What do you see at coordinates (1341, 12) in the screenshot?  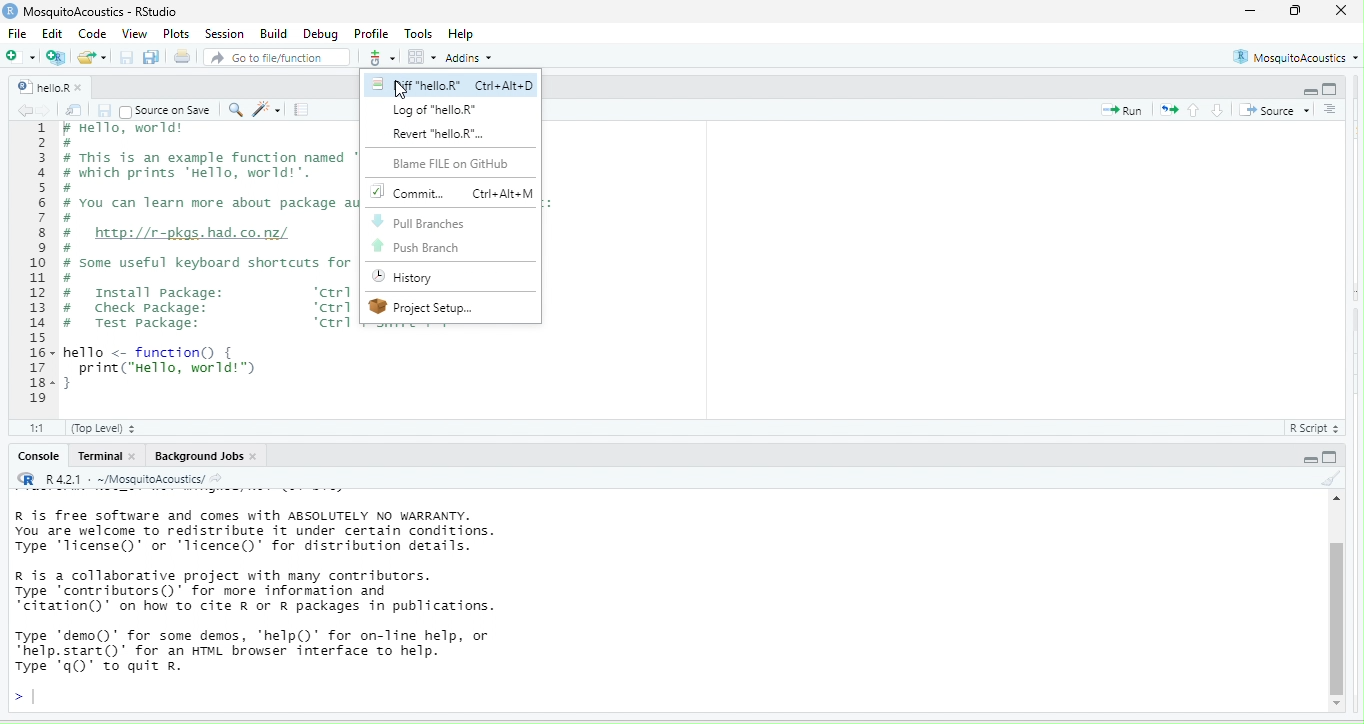 I see `close` at bounding box center [1341, 12].